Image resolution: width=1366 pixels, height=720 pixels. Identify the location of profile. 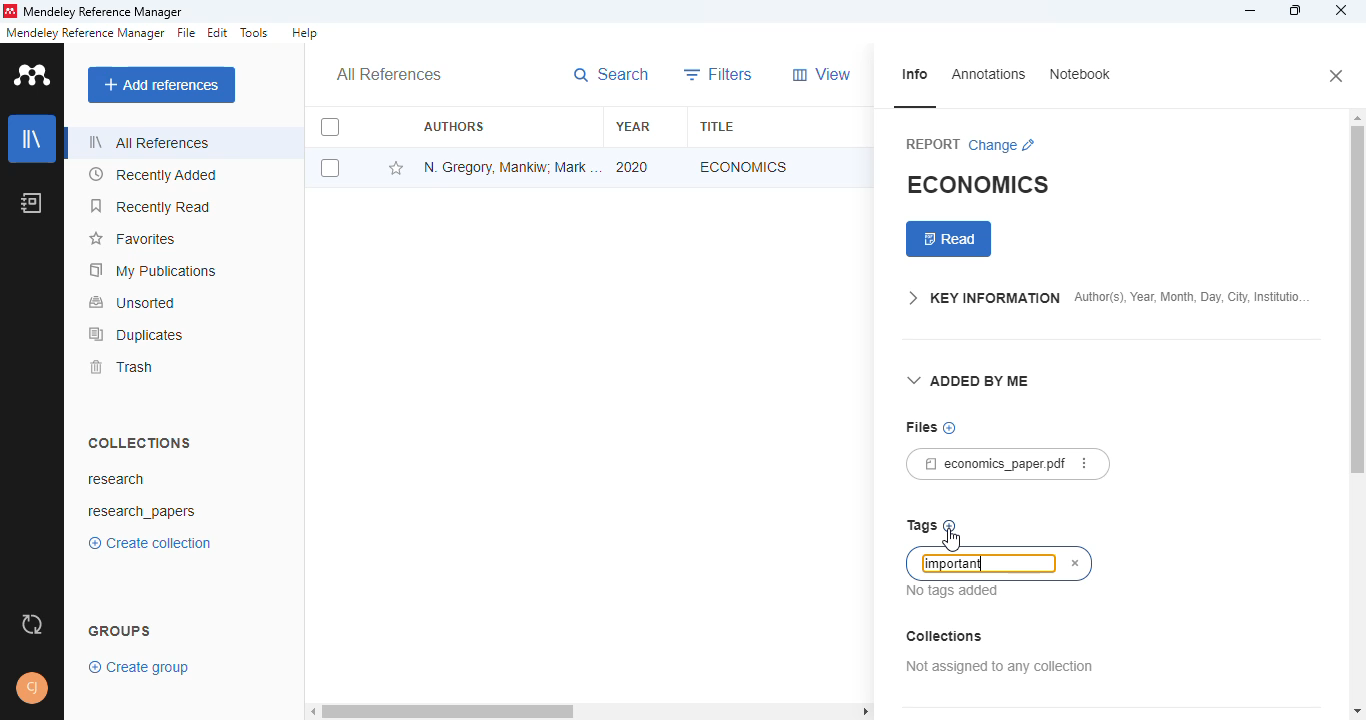
(32, 689).